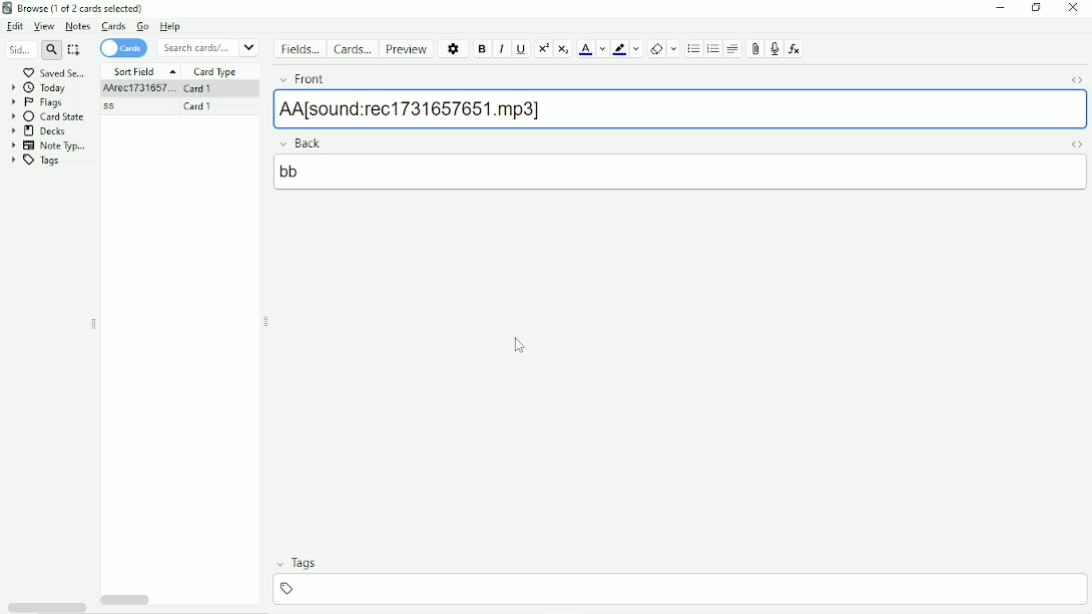  I want to click on Text Highlight color, so click(620, 49).